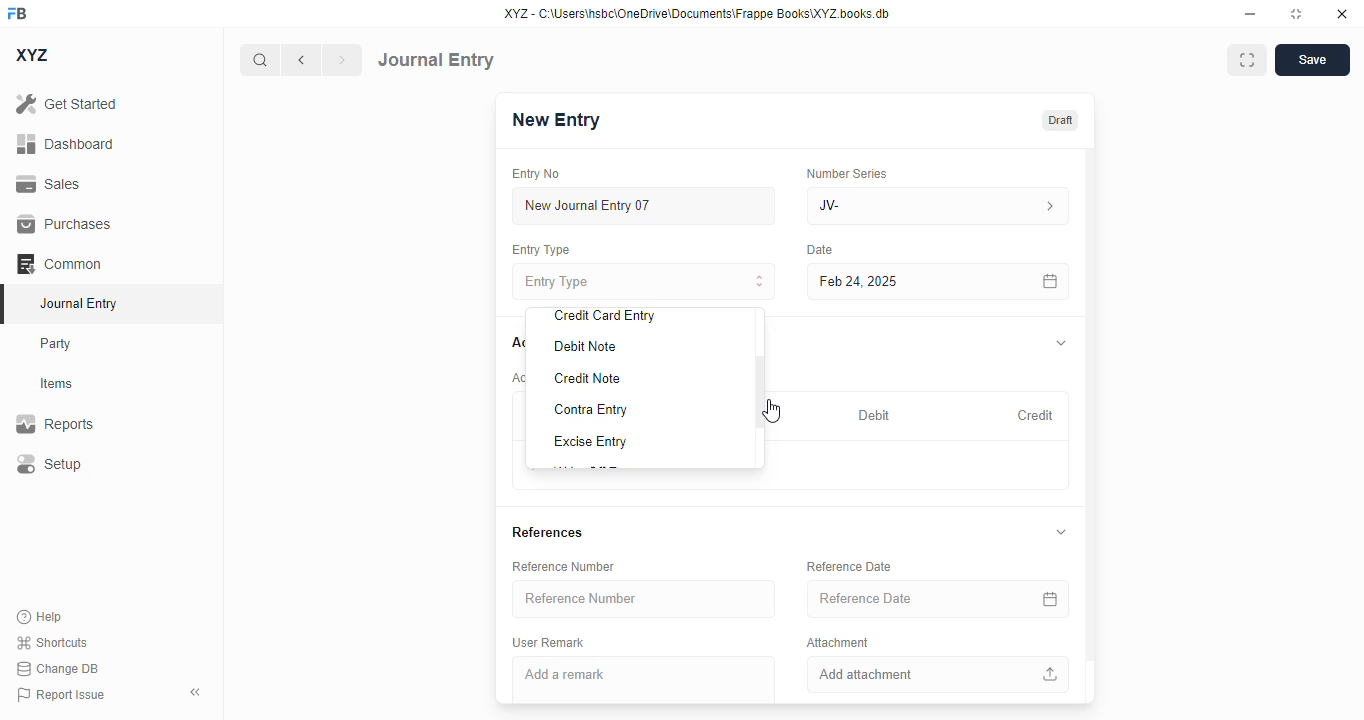 The width and height of the screenshot is (1364, 720). What do you see at coordinates (31, 55) in the screenshot?
I see `XYZ` at bounding box center [31, 55].